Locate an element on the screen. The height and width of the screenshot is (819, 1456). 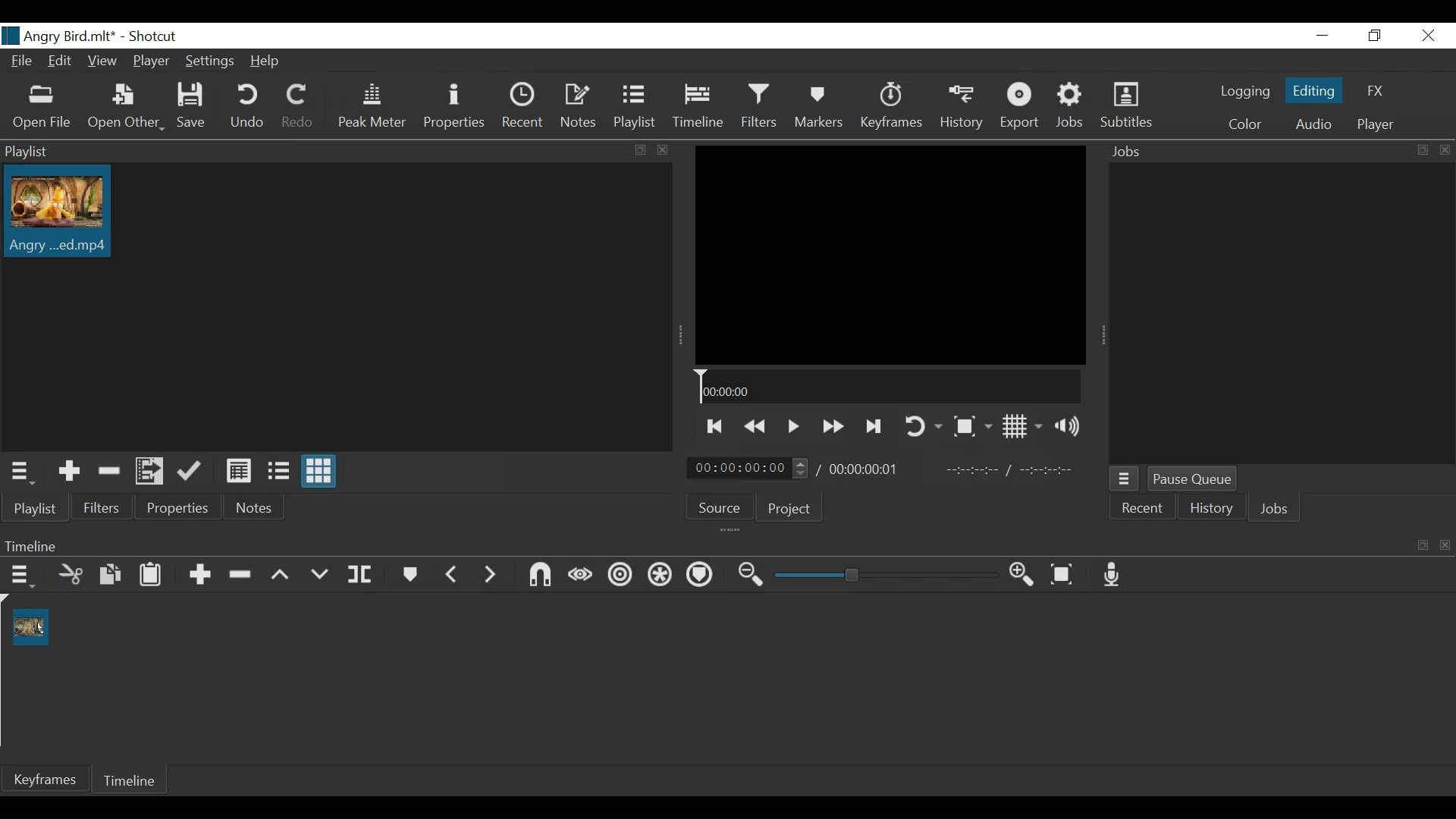
Zoom timeline out is located at coordinates (753, 575).